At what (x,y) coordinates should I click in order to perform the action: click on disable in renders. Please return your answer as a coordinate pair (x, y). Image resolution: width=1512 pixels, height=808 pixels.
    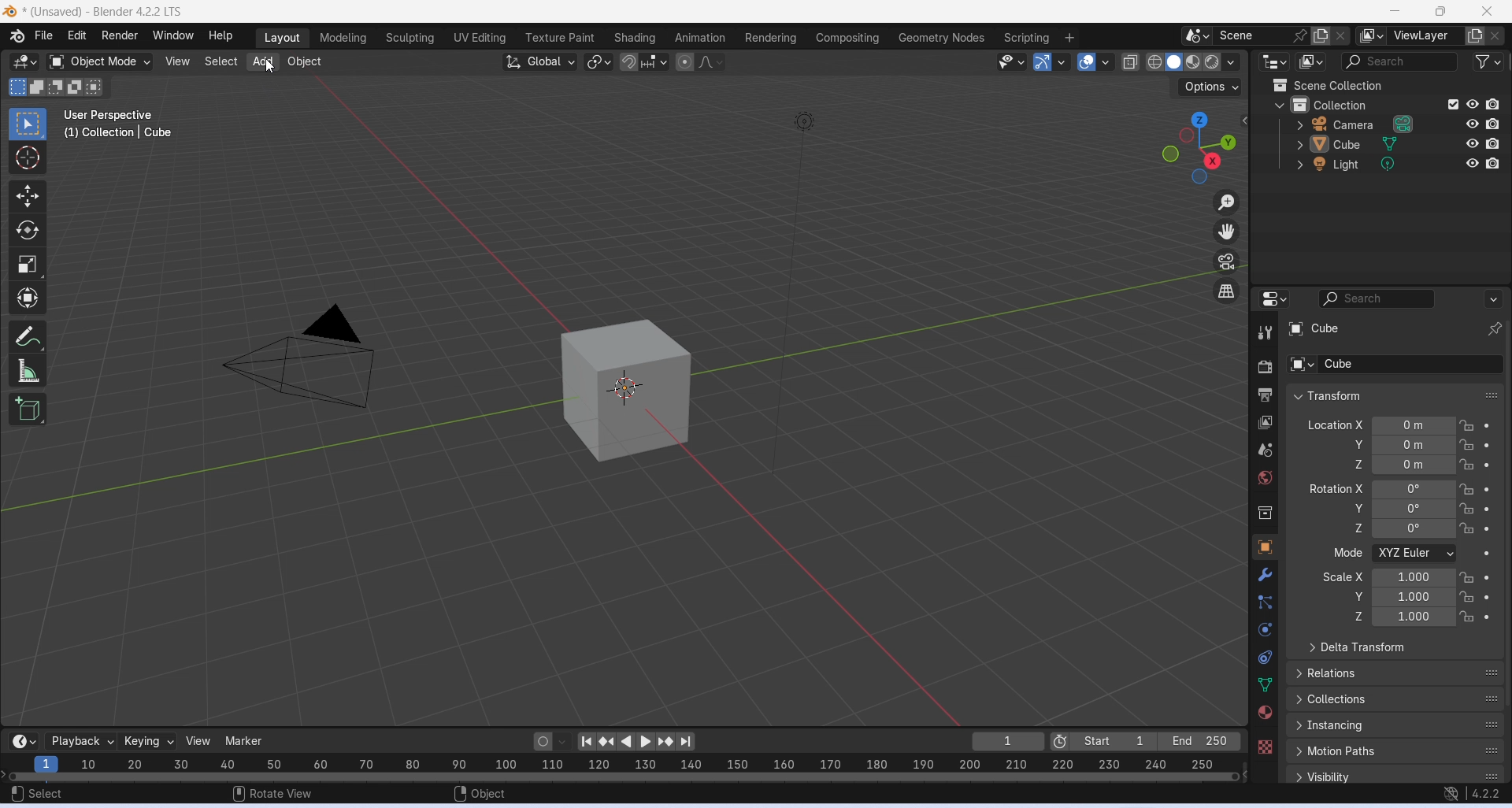
    Looking at the image, I should click on (1493, 162).